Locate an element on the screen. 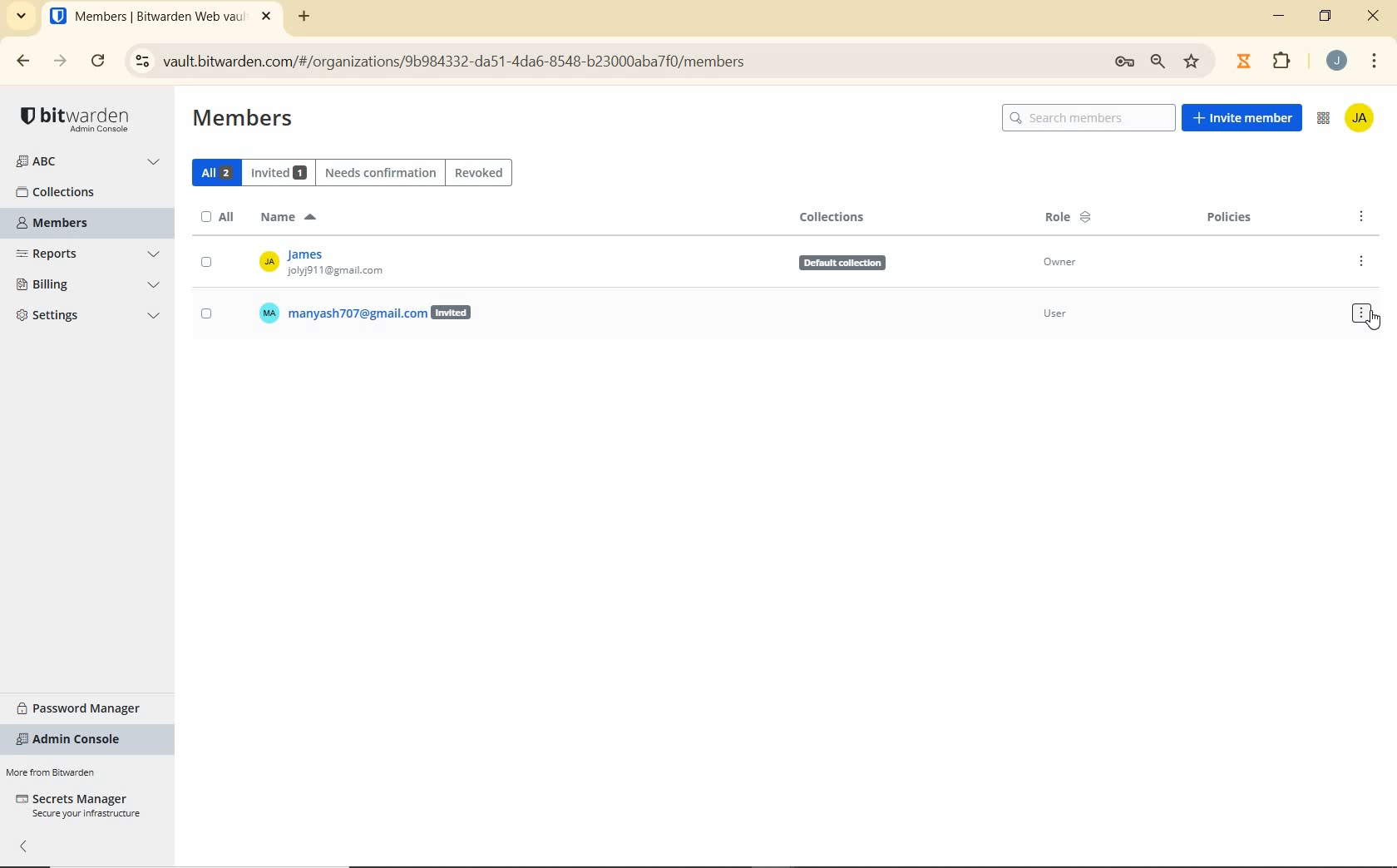  MINIMIZE is located at coordinates (1281, 19).